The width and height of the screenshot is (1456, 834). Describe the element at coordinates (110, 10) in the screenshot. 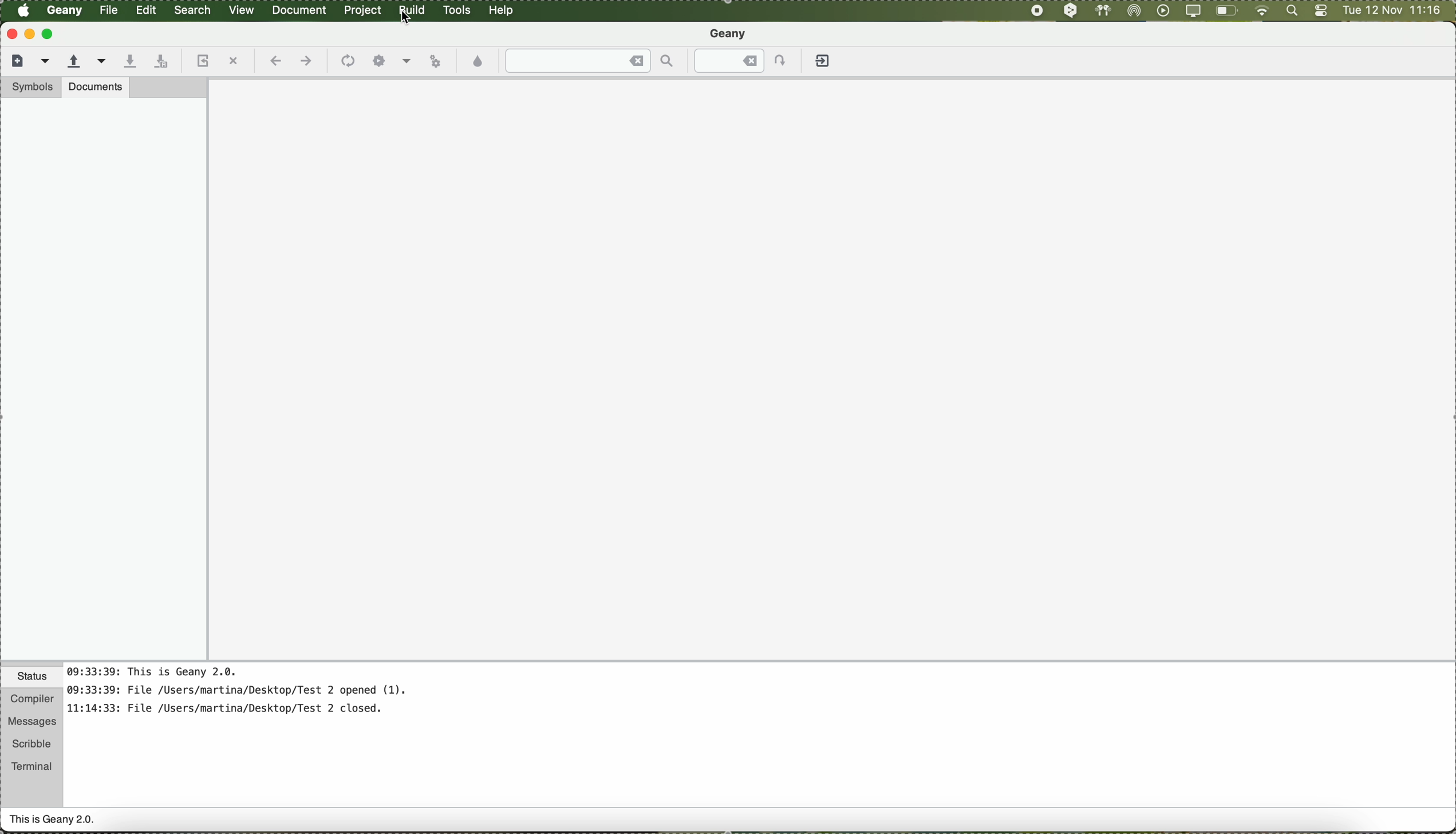

I see `file` at that location.